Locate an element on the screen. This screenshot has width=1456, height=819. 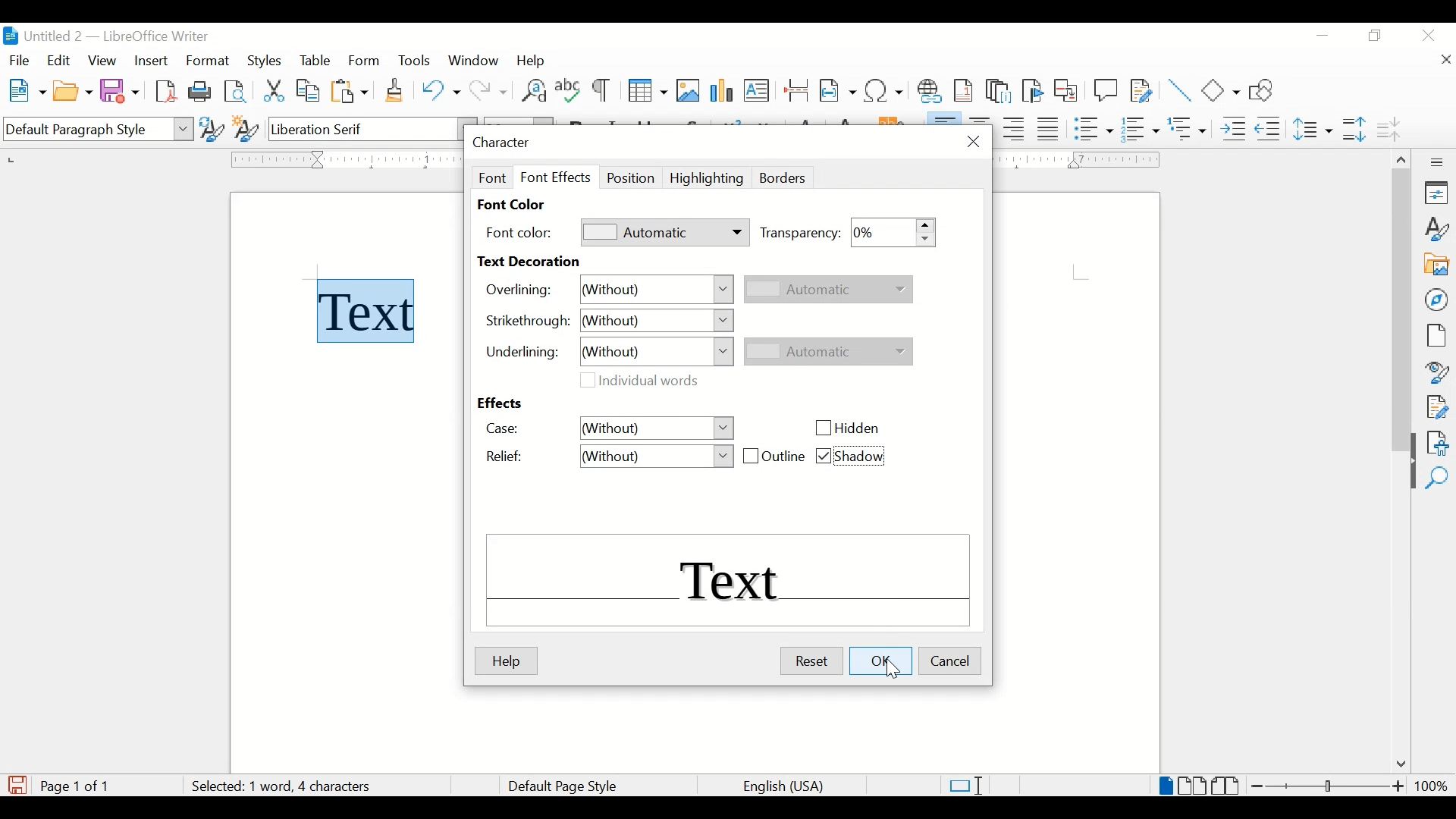
redo is located at coordinates (489, 91).